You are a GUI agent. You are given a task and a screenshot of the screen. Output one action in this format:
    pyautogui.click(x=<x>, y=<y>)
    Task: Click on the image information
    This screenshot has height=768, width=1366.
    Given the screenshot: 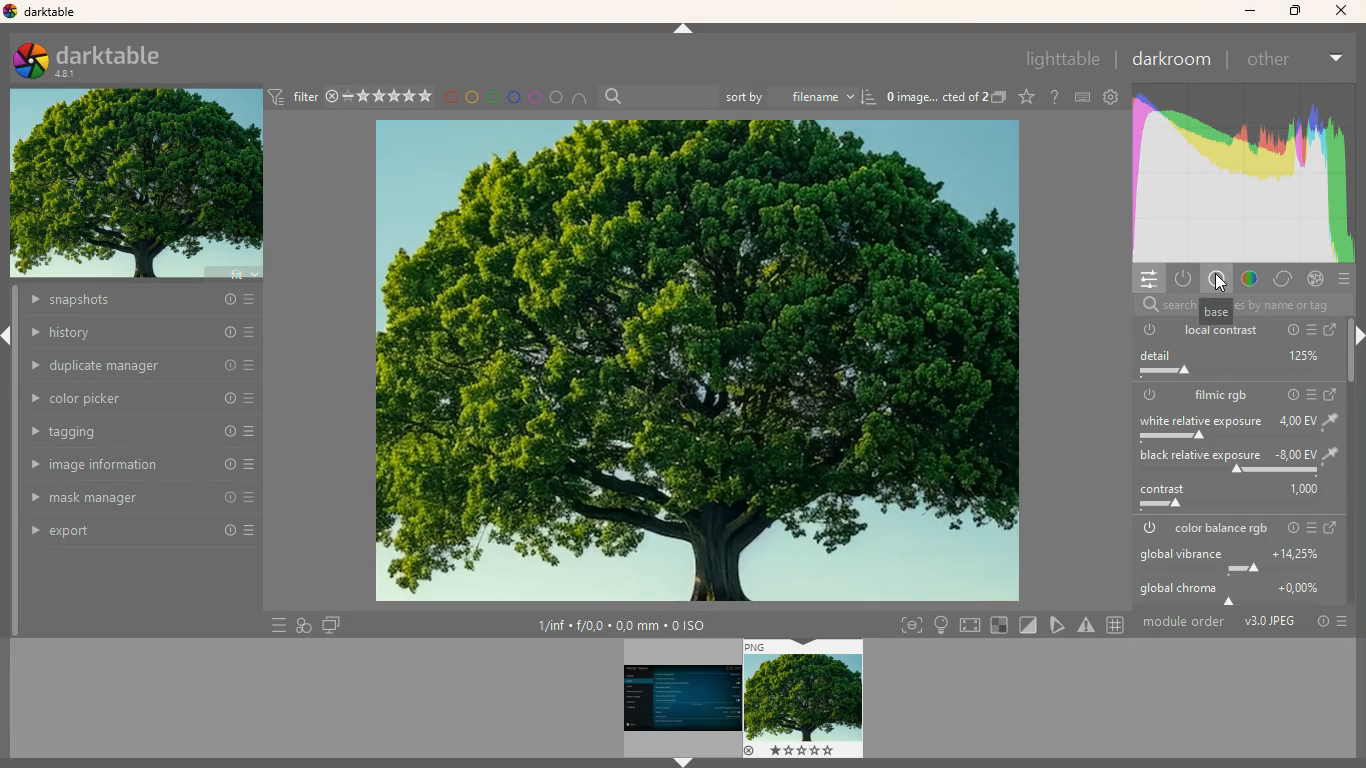 What is the action you would take?
    pyautogui.click(x=622, y=625)
    